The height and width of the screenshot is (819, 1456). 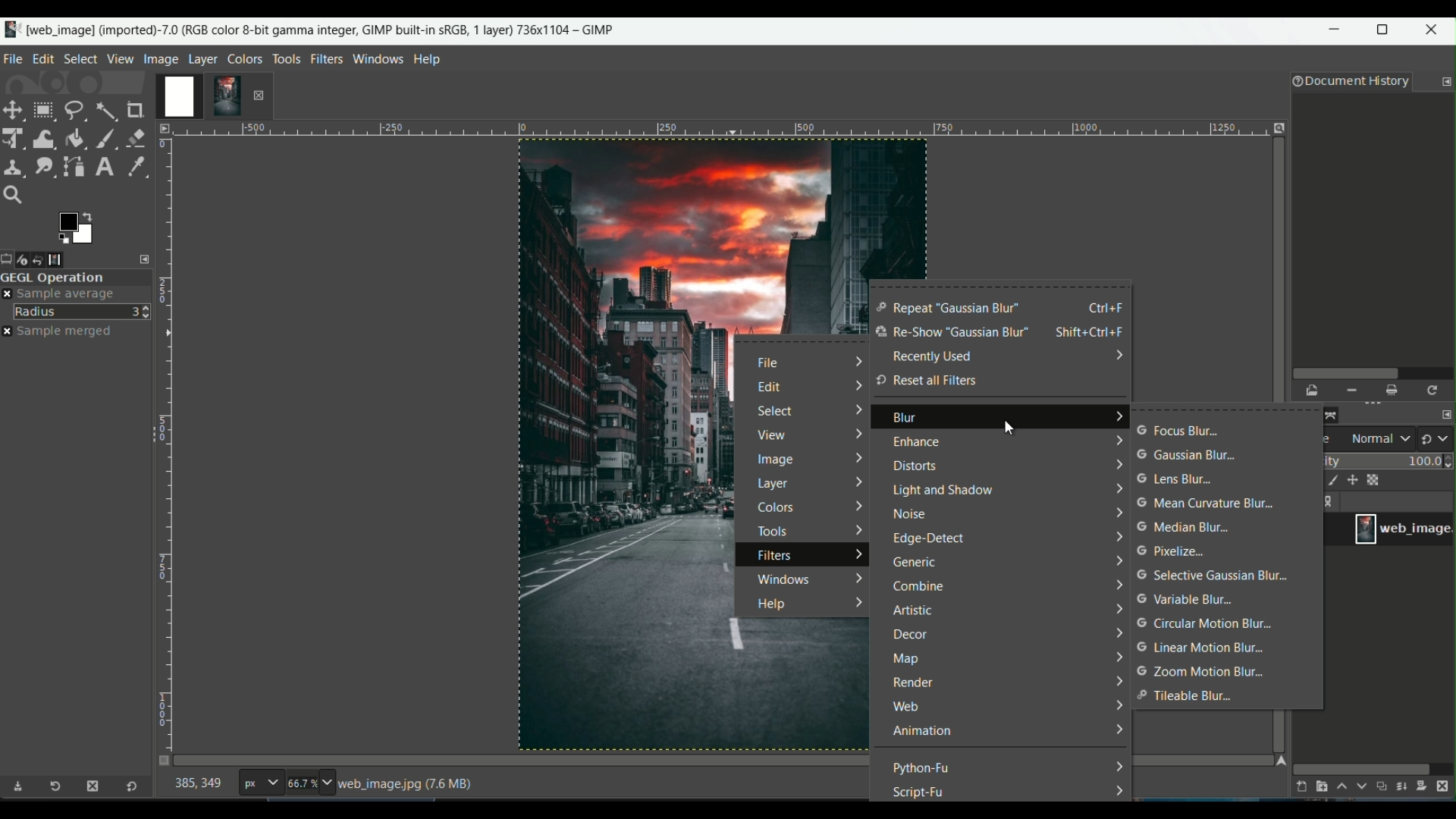 I want to click on document history, so click(x=1348, y=83).